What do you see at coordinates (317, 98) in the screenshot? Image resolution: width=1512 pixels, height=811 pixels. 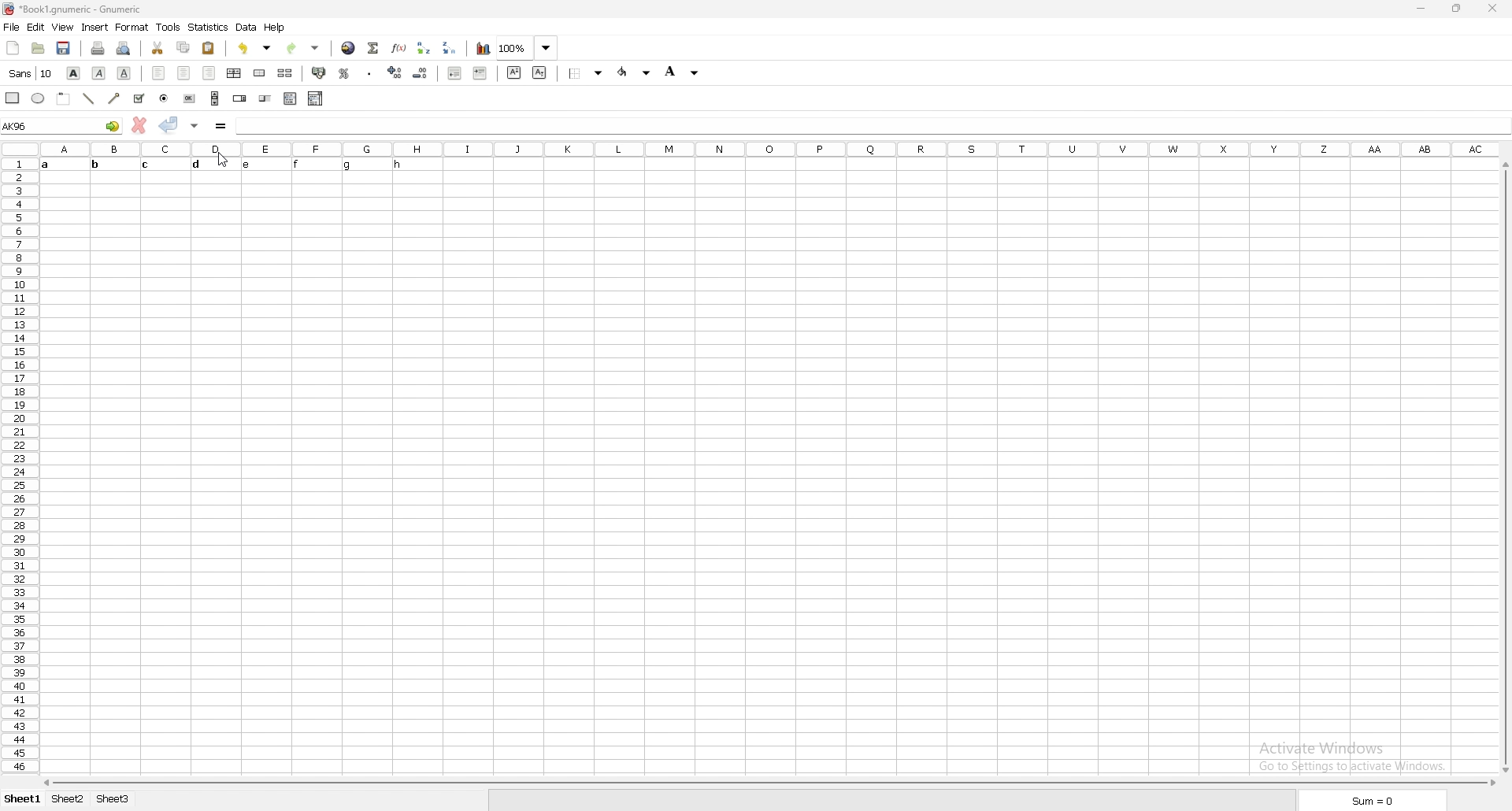 I see `combo box` at bounding box center [317, 98].